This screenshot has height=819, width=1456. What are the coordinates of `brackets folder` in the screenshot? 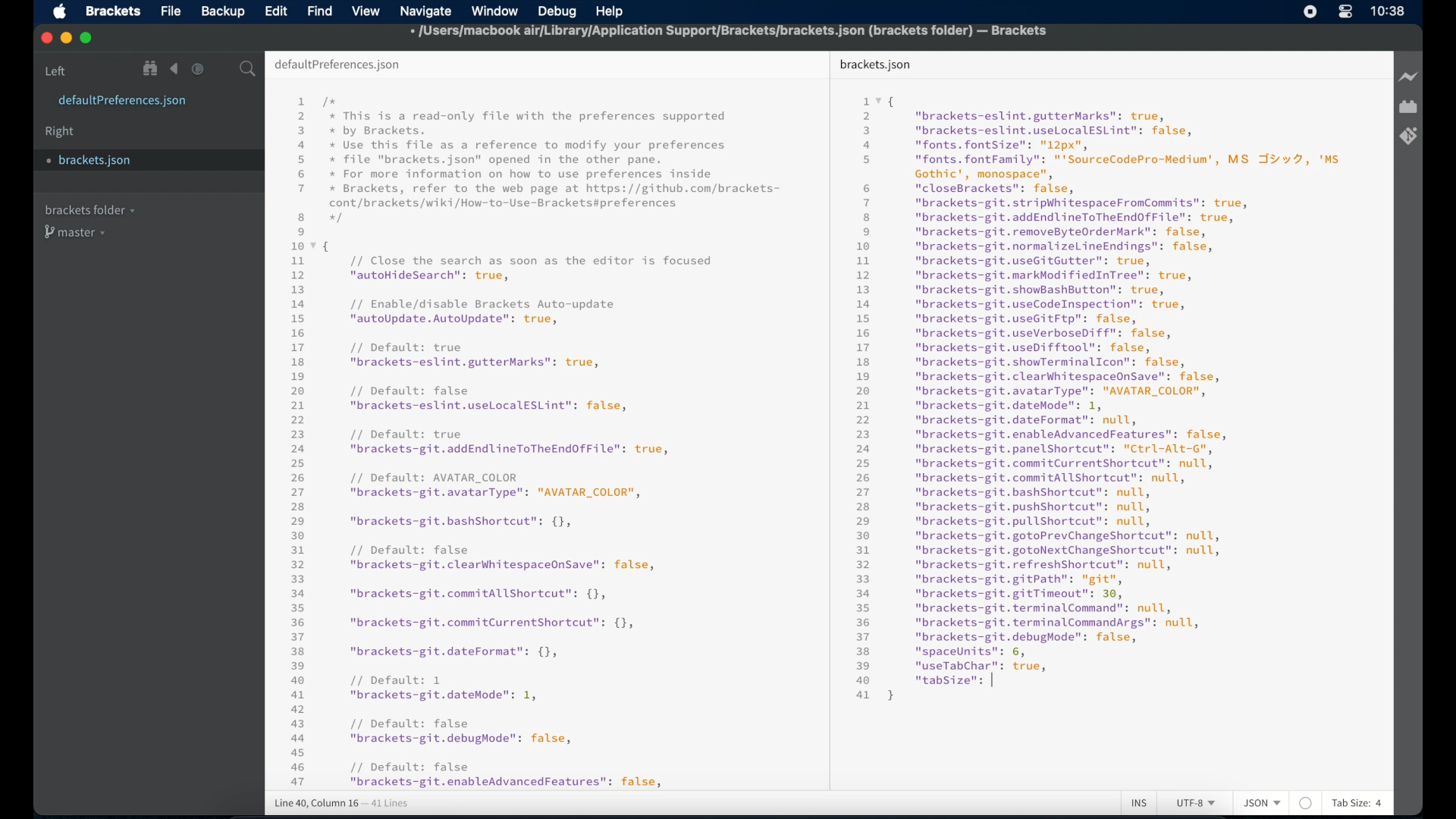 It's located at (89, 209).